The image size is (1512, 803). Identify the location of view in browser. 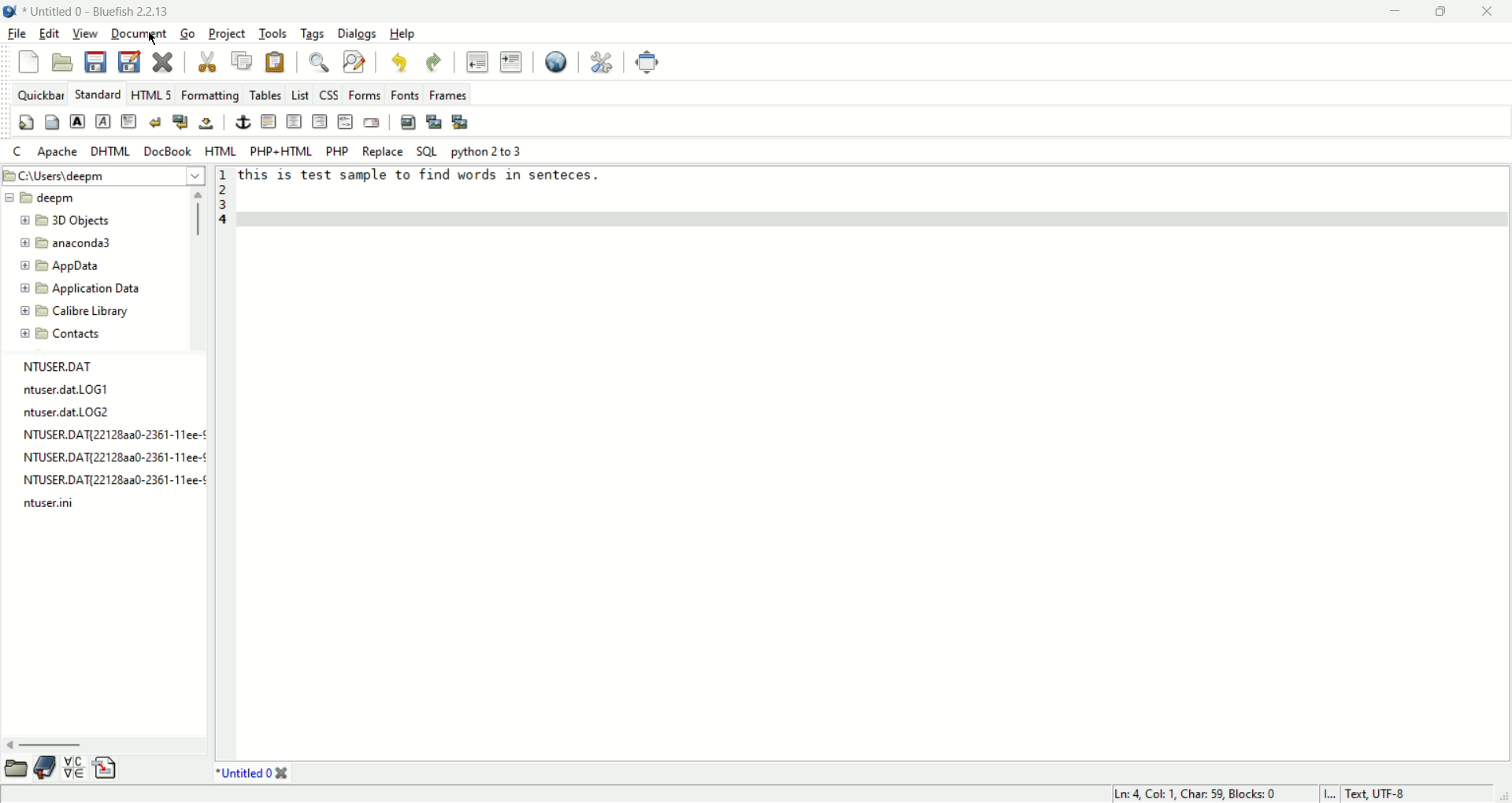
(553, 63).